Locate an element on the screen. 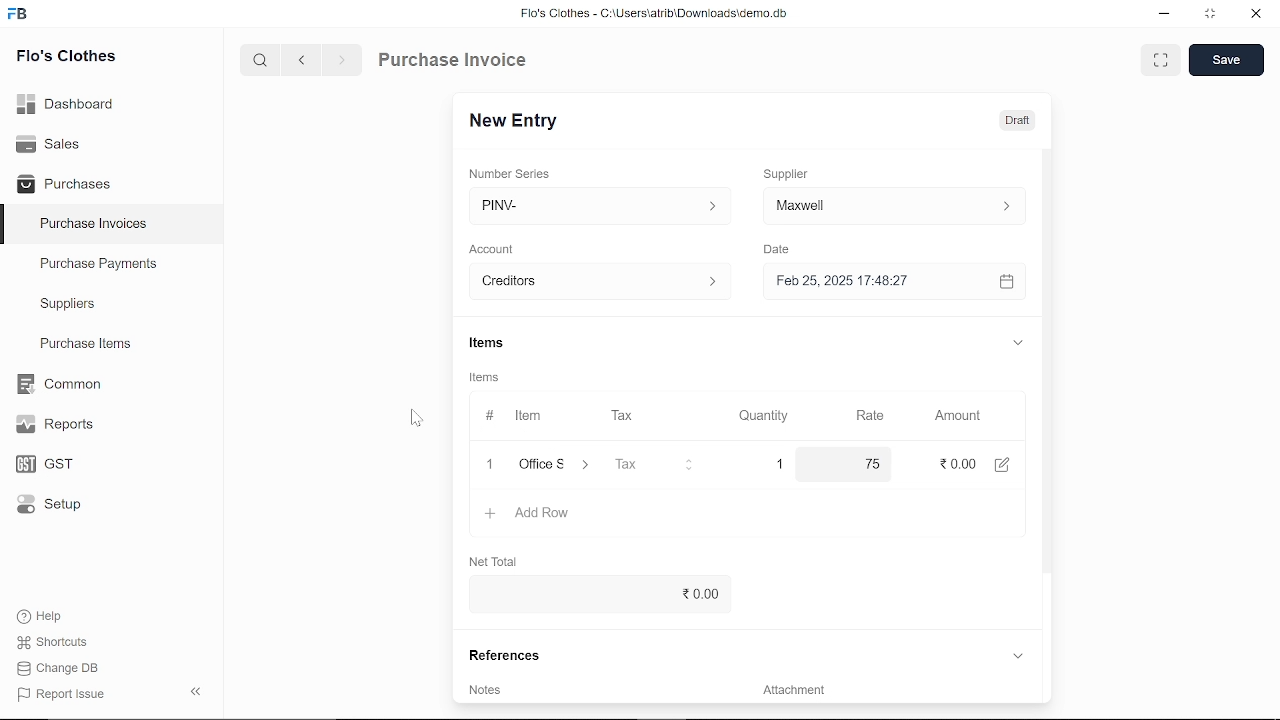  J Report Issue is located at coordinates (58, 694).